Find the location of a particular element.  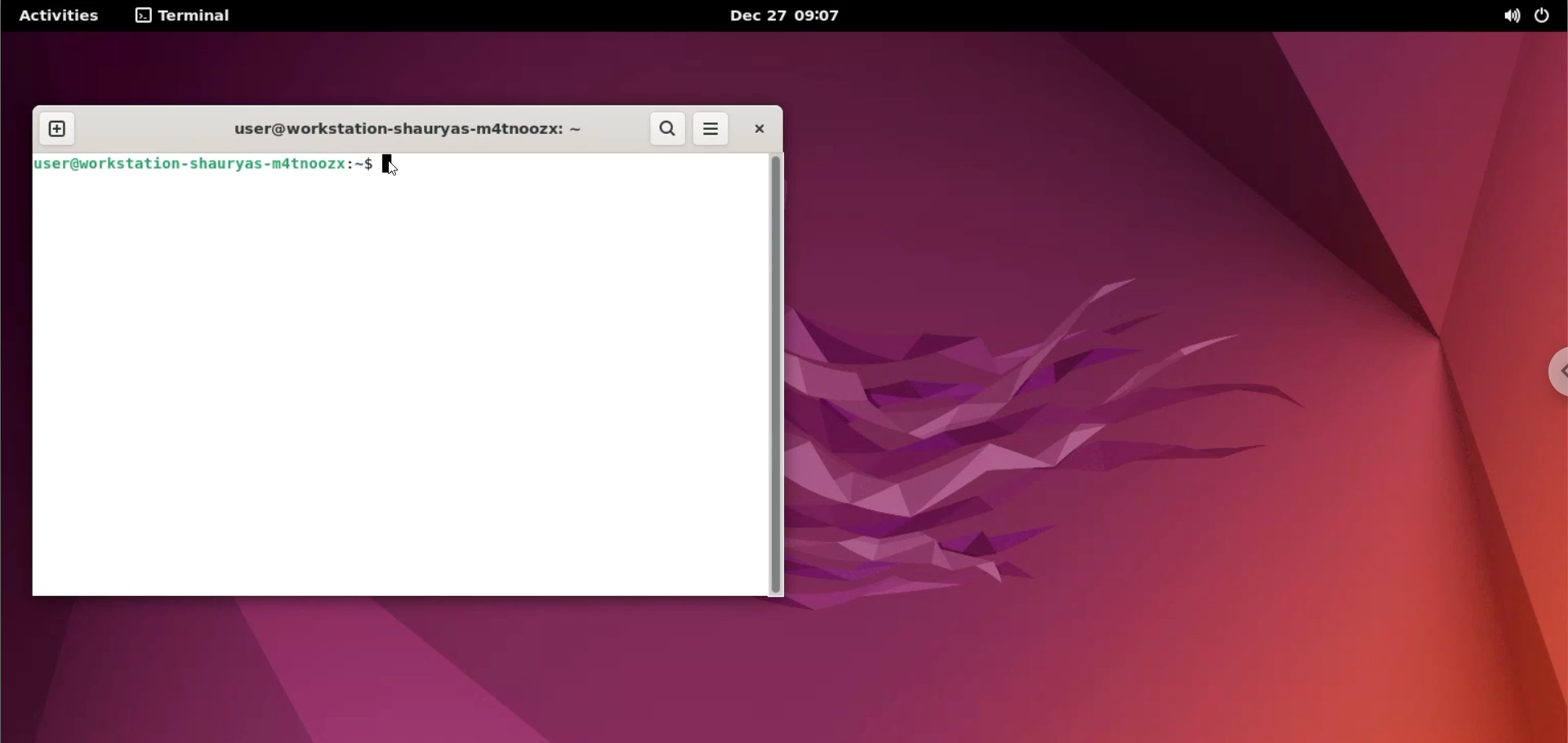

scrollbar is located at coordinates (778, 376).